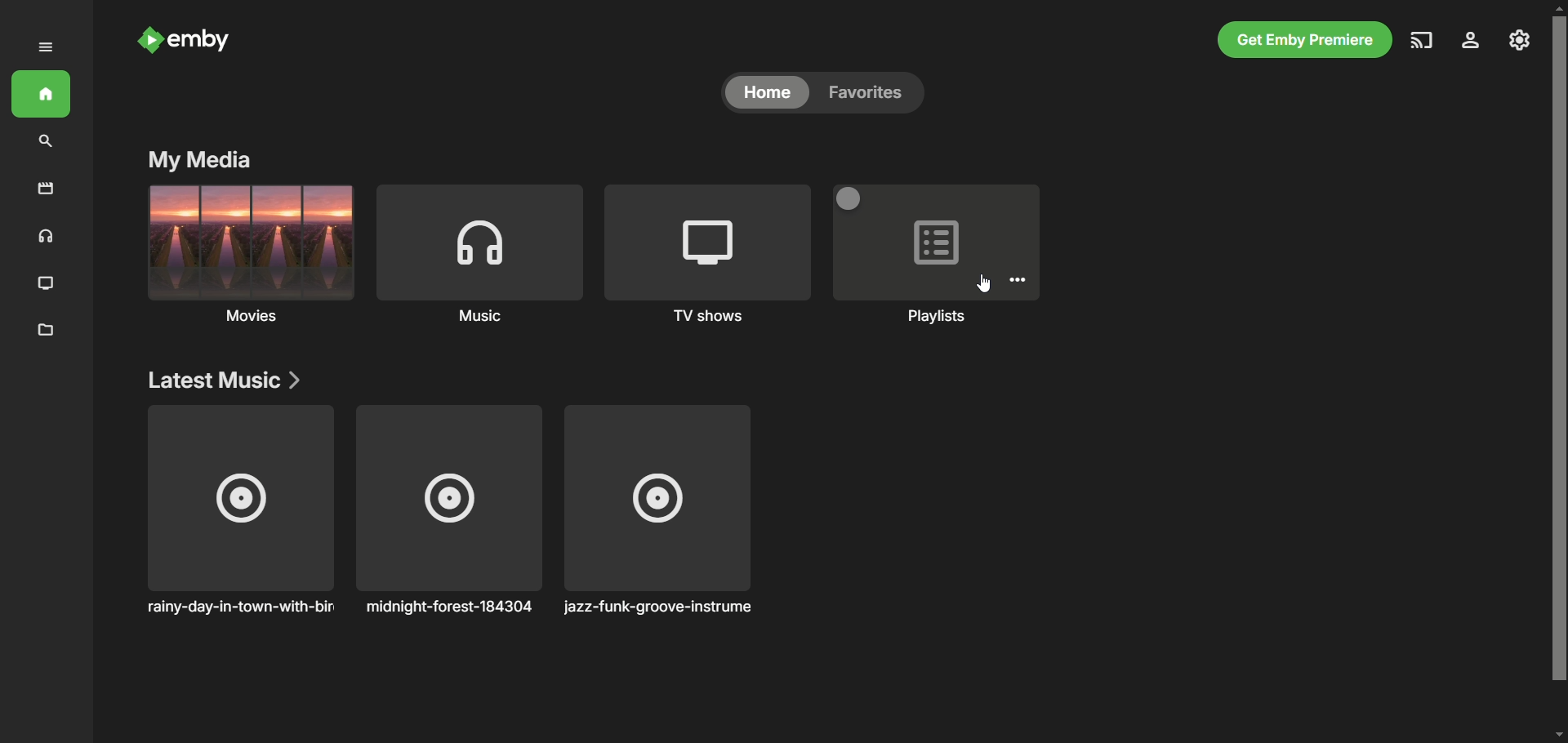 The width and height of the screenshot is (1568, 743). What do you see at coordinates (148, 42) in the screenshot?
I see `logo` at bounding box center [148, 42].